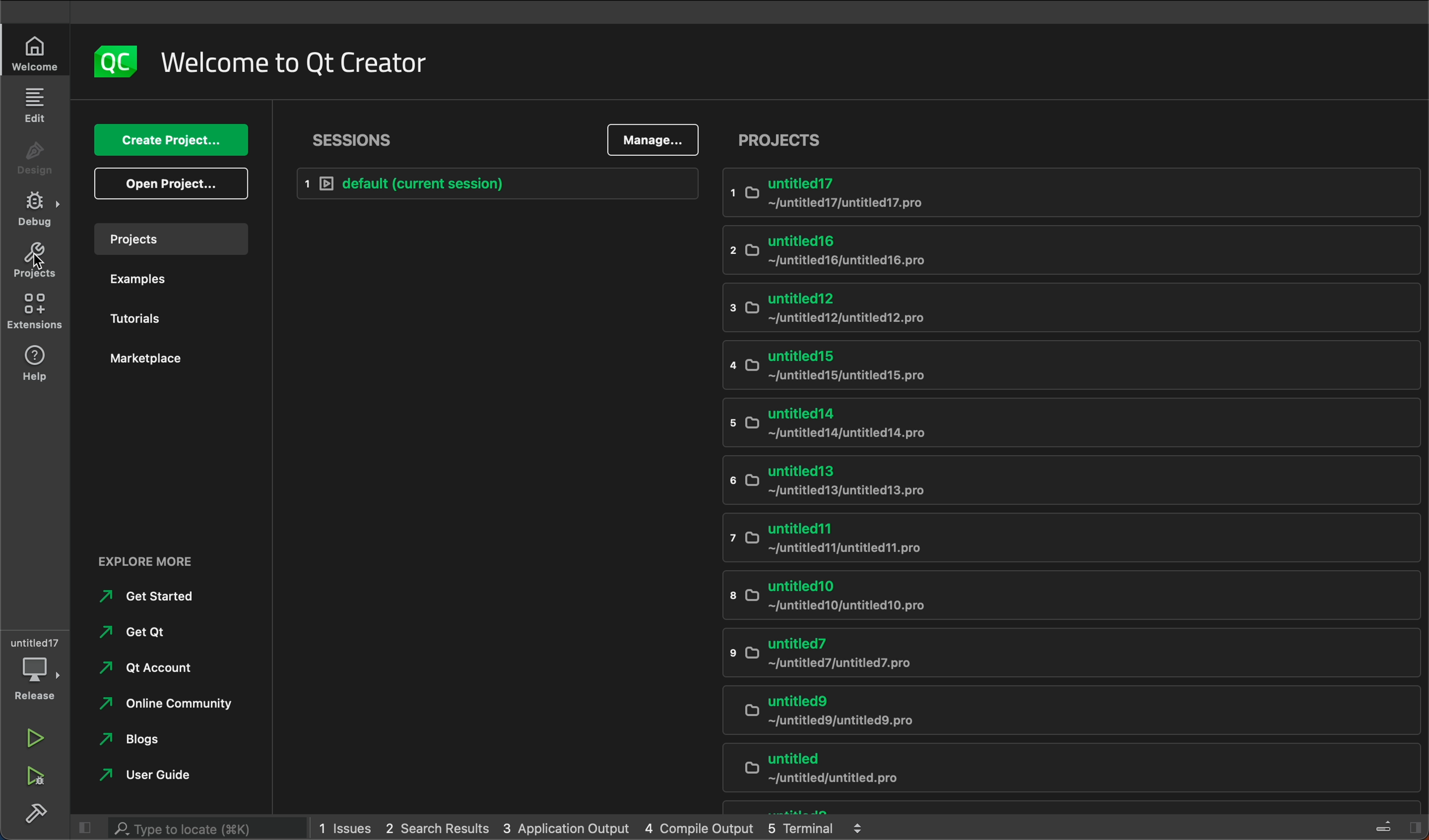 This screenshot has width=1429, height=840. Describe the element at coordinates (171, 141) in the screenshot. I see `create project` at that location.